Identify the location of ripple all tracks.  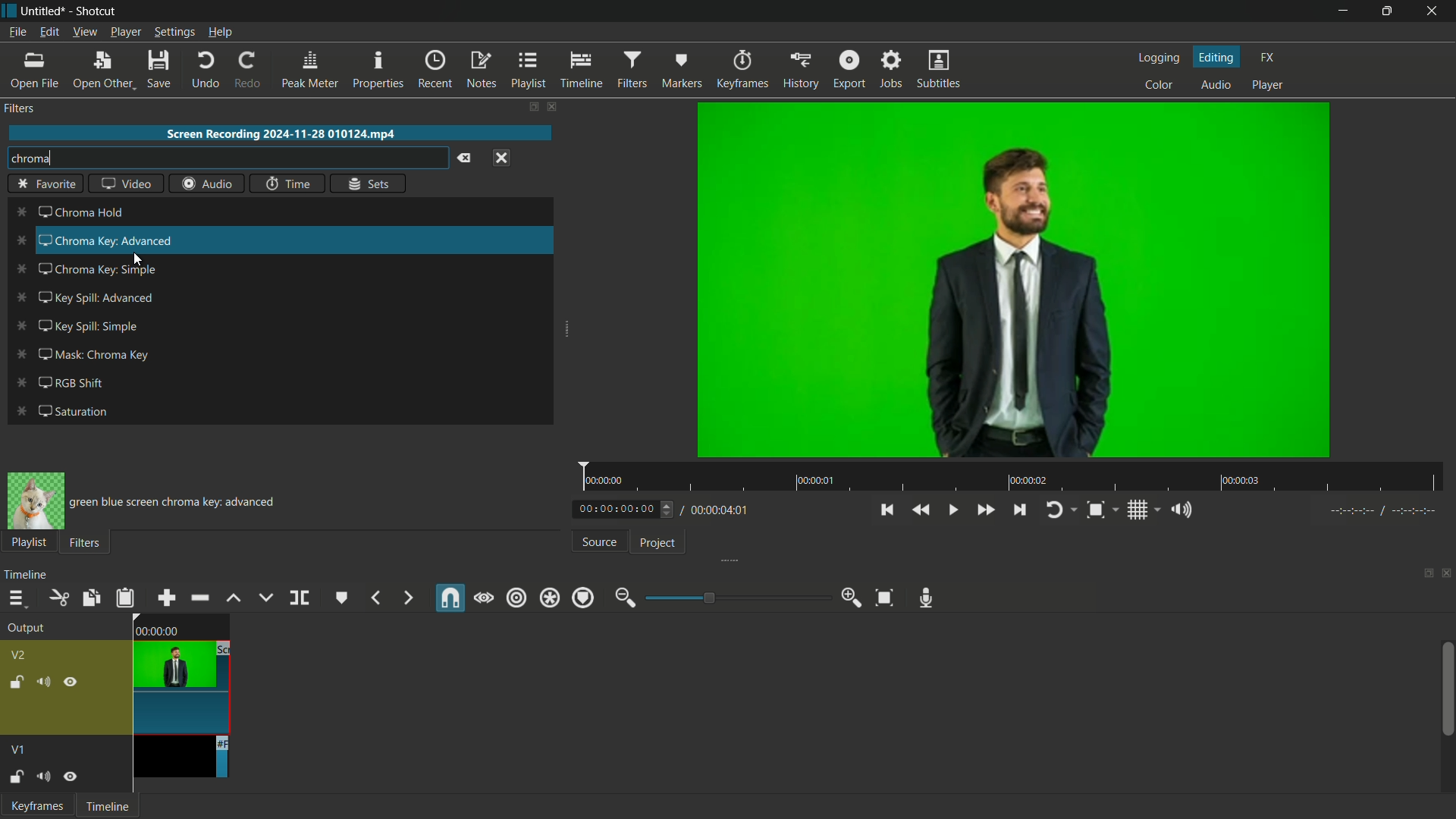
(548, 598).